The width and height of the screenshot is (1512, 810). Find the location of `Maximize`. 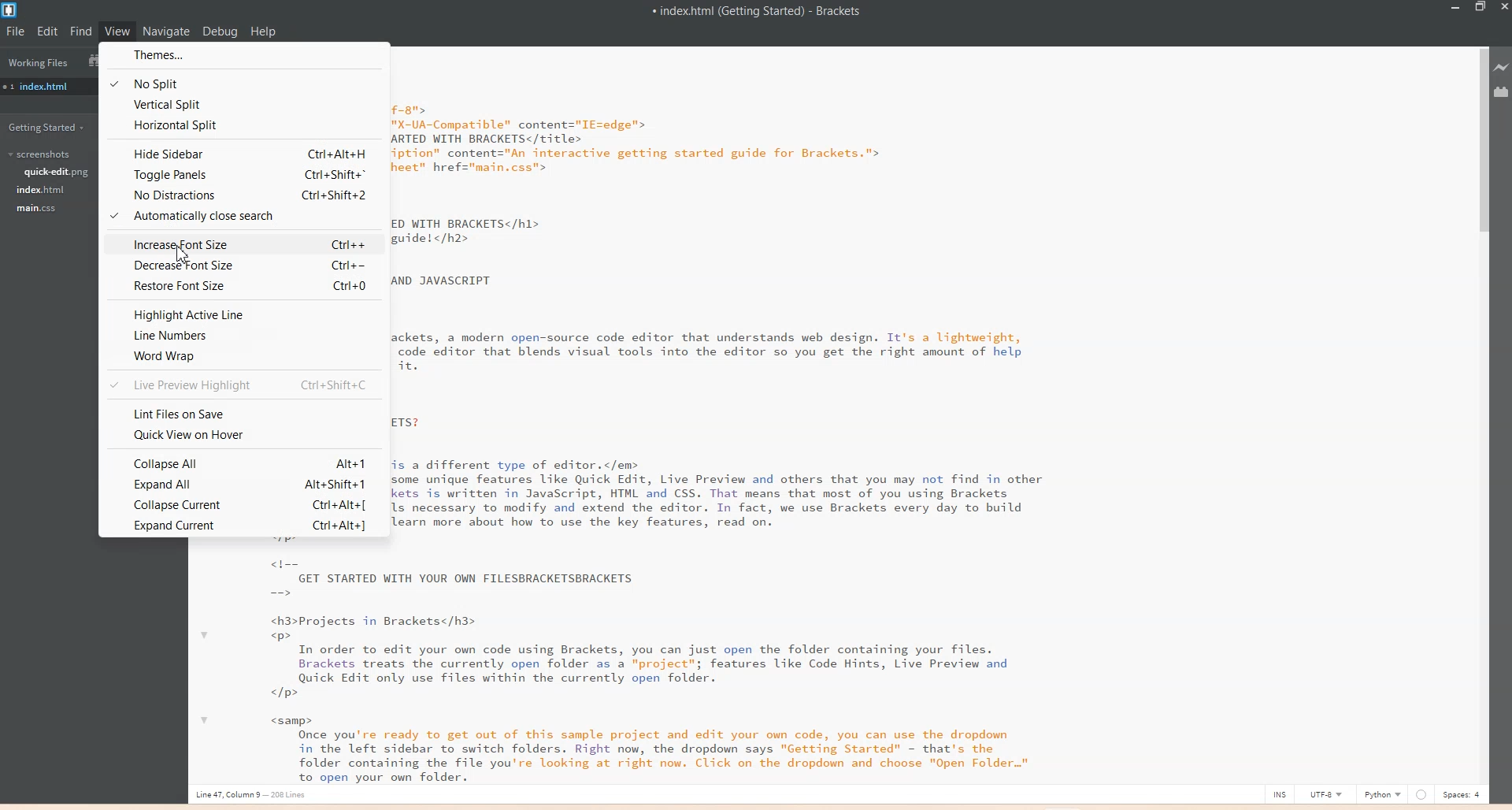

Maximize is located at coordinates (1480, 8).